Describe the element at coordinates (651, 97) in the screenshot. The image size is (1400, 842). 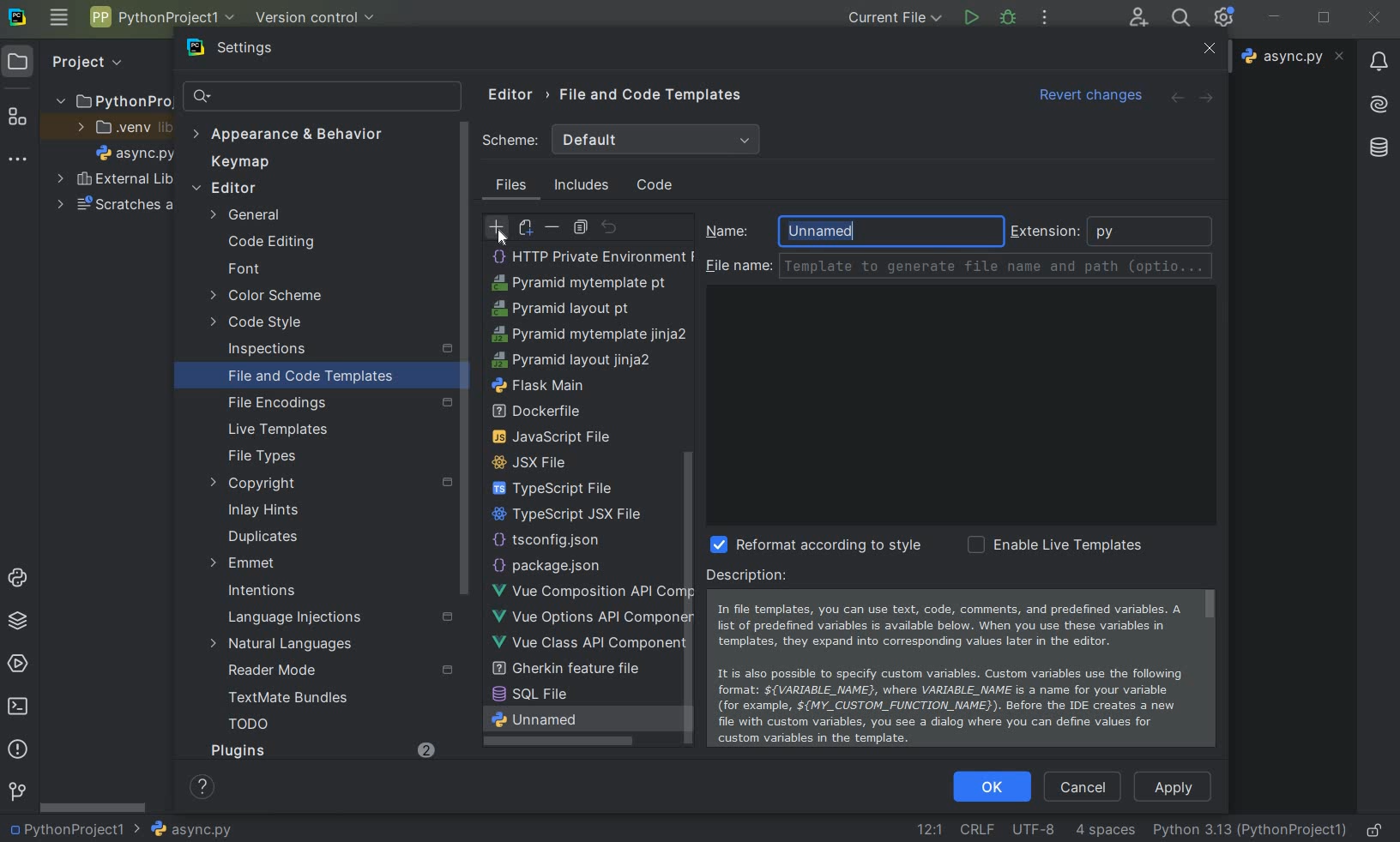
I see `file and code templates` at that location.